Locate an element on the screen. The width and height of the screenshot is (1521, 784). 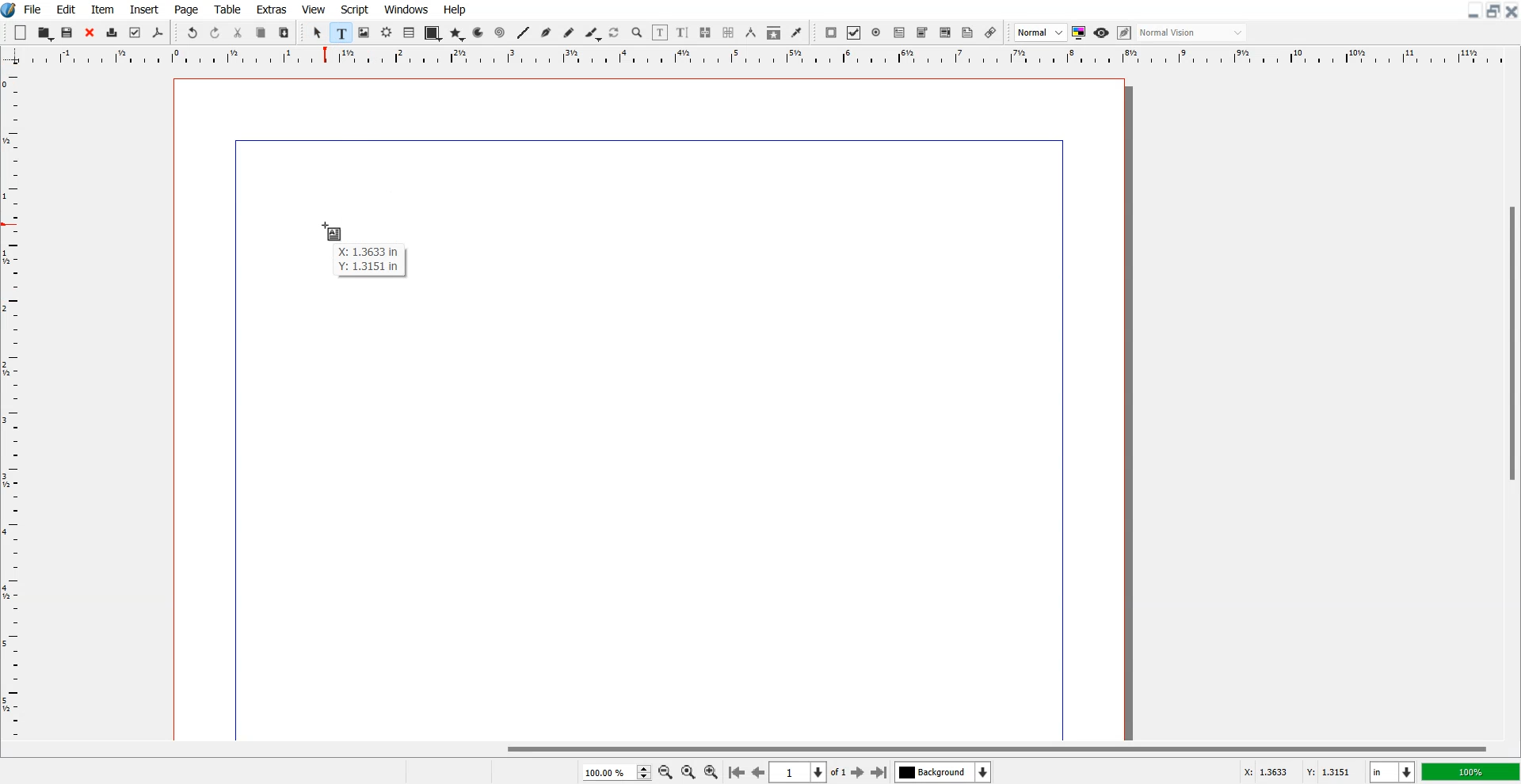
X, Y Co-ordinate is located at coordinates (1298, 773).